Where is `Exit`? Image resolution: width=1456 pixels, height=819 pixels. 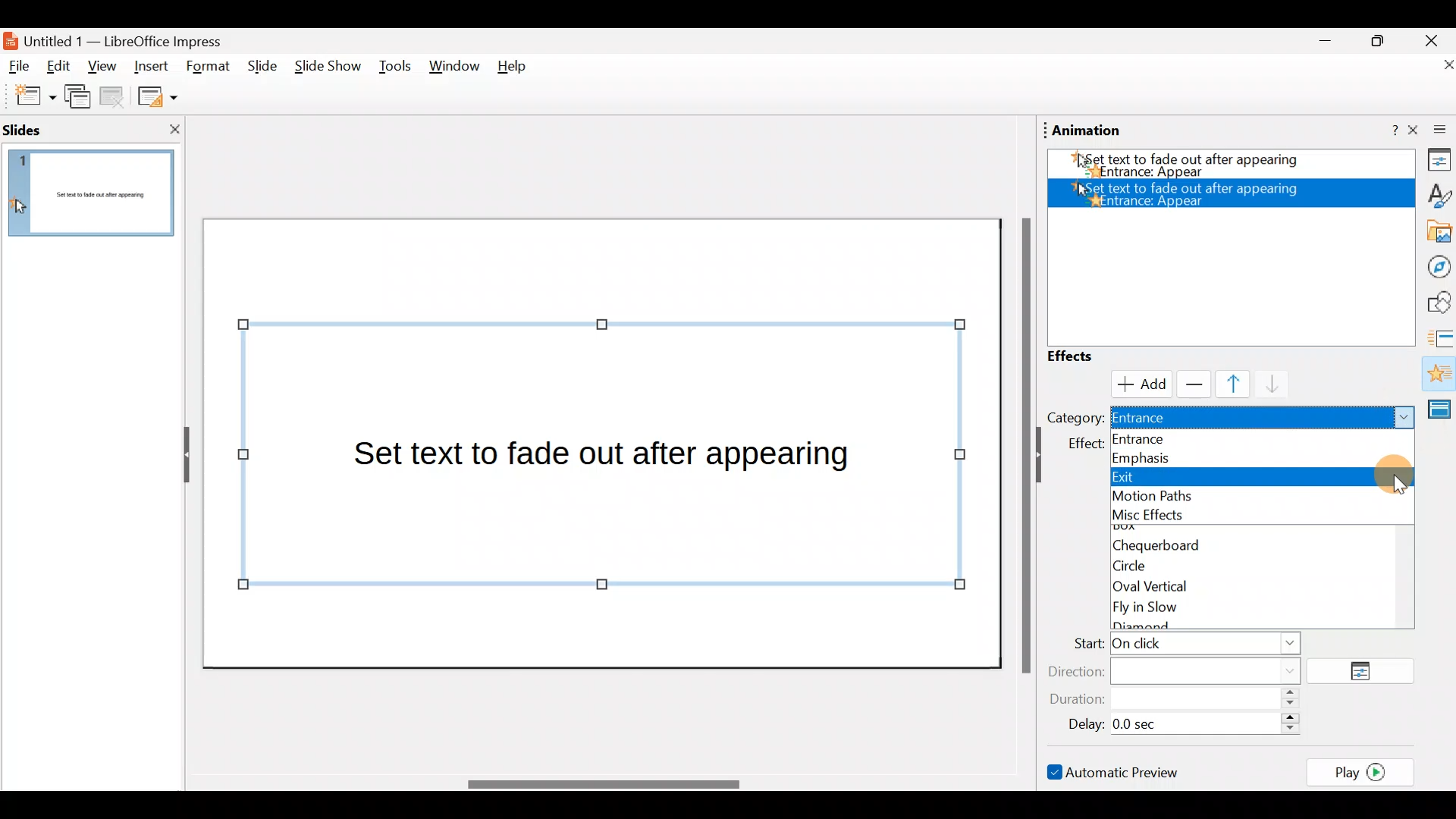 Exit is located at coordinates (1260, 475).